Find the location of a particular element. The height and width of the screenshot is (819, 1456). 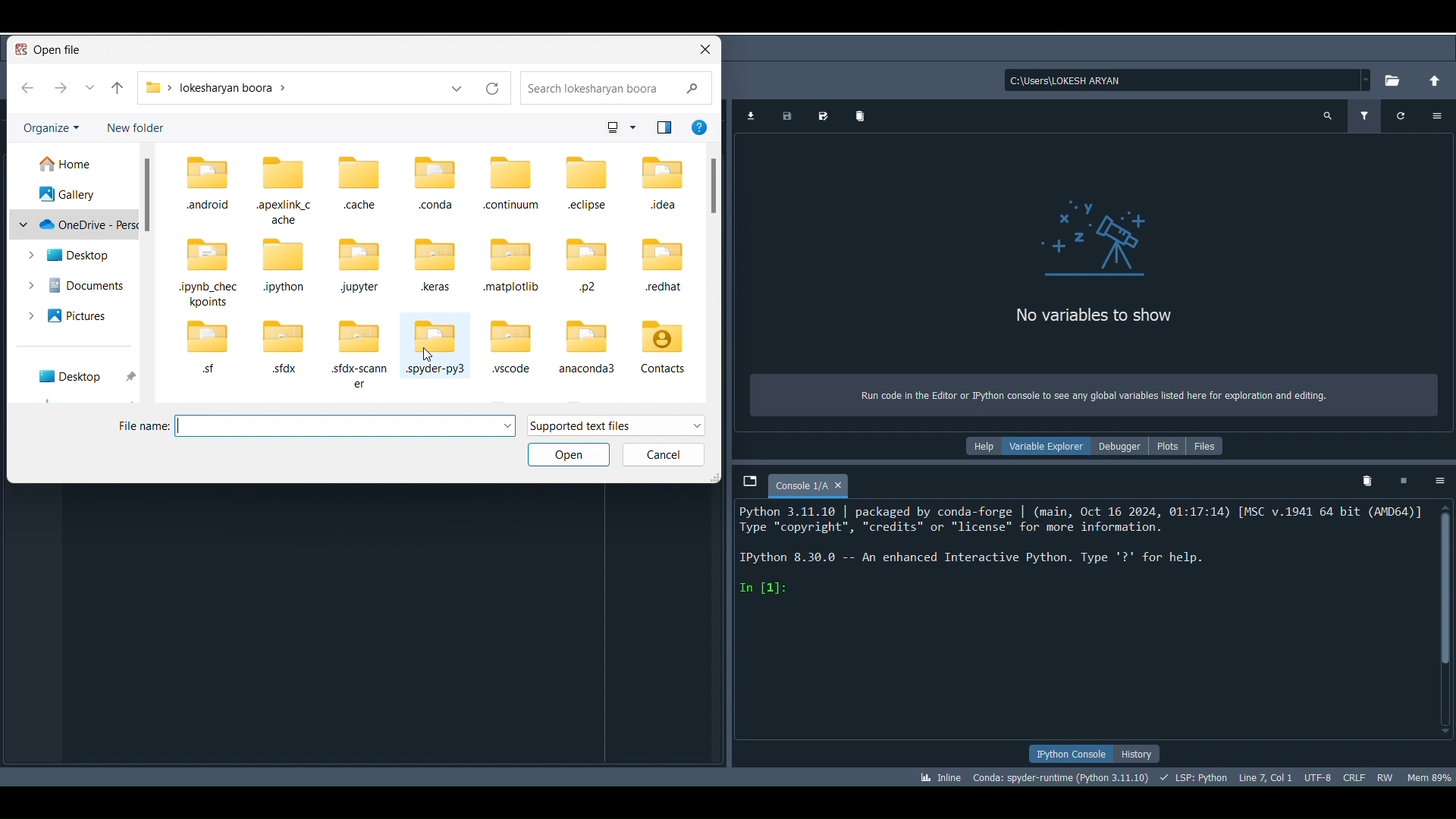

Encoding is located at coordinates (1319, 775).